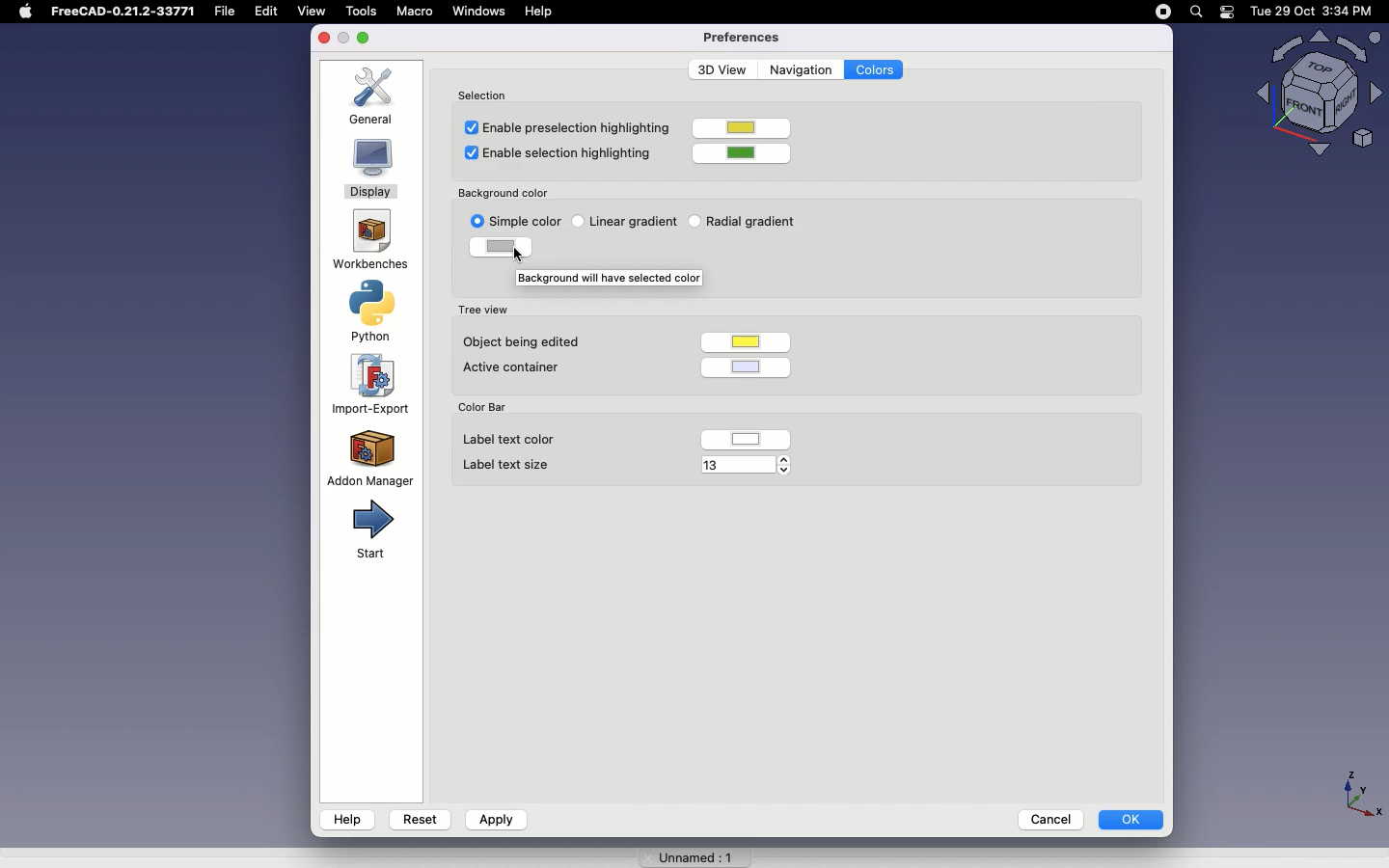 This screenshot has width=1389, height=868. I want to click on Preferences, so click(741, 37).